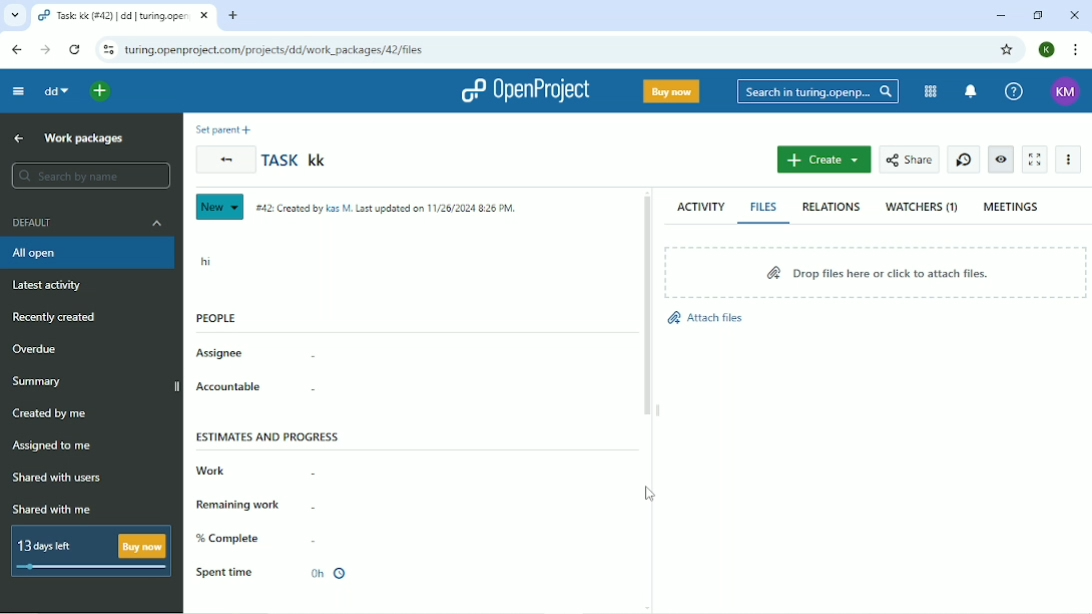  Describe the element at coordinates (921, 208) in the screenshot. I see `WATCHERS (1)` at that location.